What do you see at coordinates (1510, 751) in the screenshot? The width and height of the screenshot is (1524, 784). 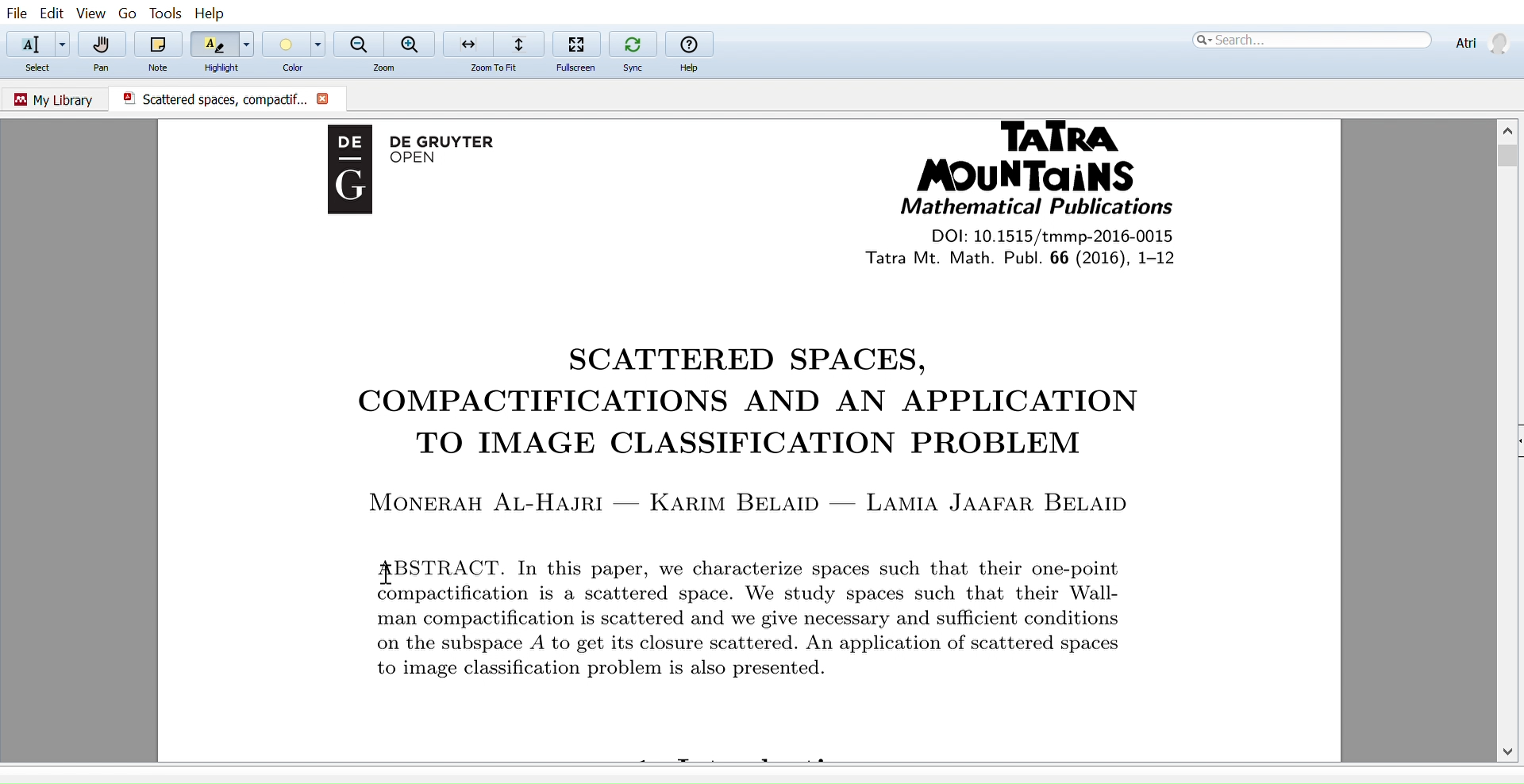 I see `Move down` at bounding box center [1510, 751].